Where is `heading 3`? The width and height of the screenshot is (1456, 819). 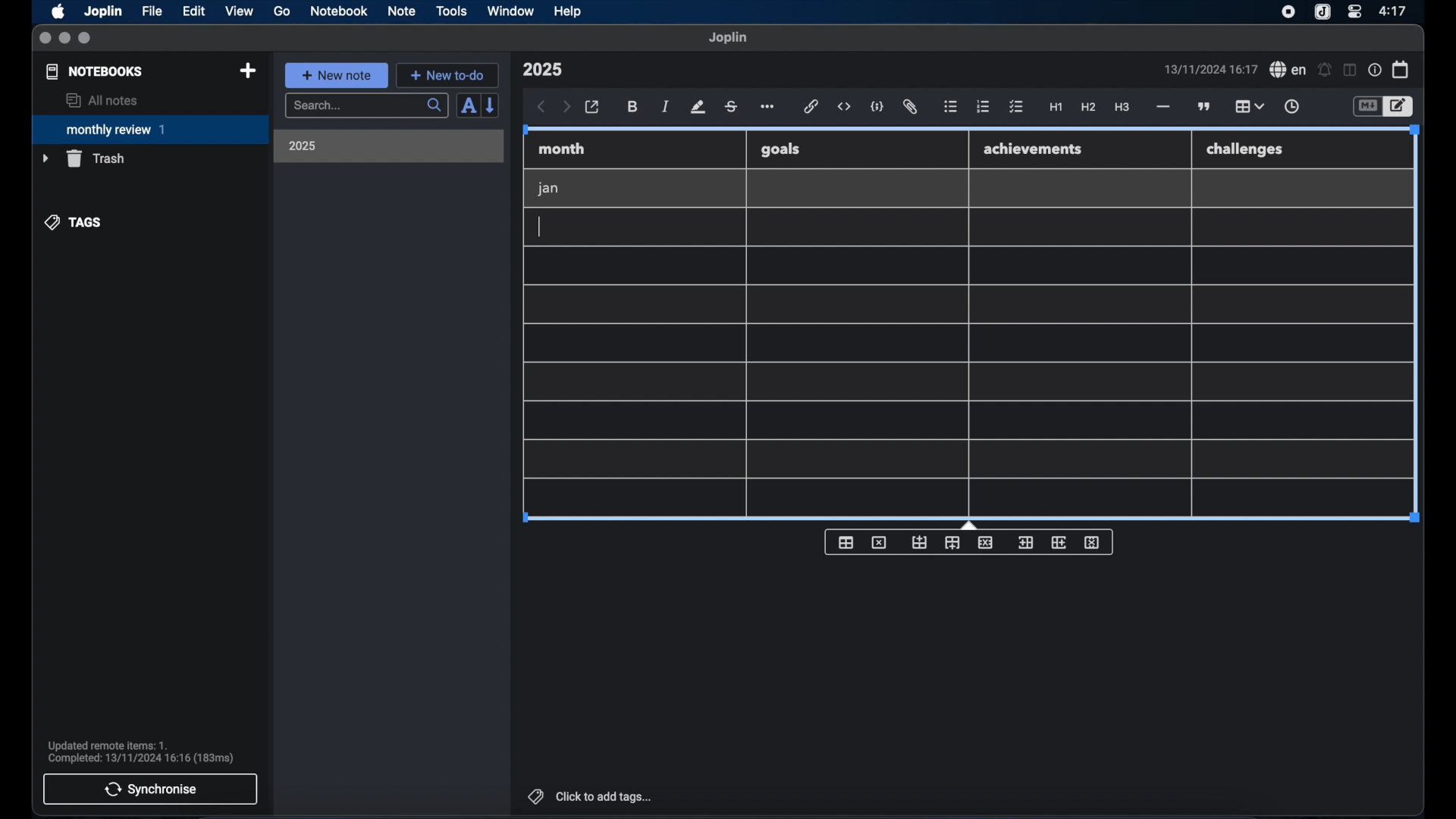 heading 3 is located at coordinates (1122, 108).